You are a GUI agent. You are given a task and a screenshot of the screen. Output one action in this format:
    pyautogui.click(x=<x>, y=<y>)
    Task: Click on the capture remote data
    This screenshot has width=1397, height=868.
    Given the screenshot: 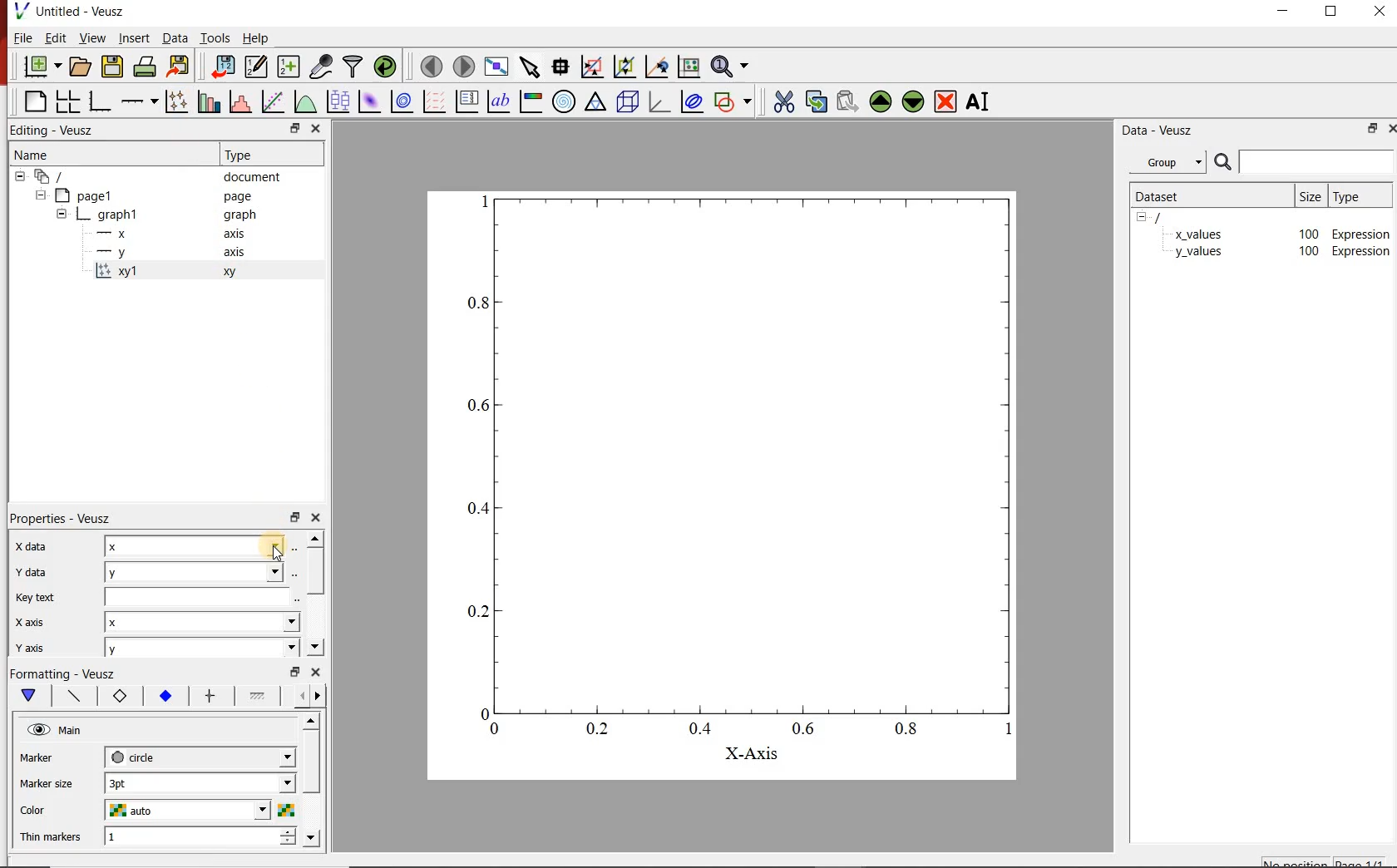 What is the action you would take?
    pyautogui.click(x=321, y=66)
    